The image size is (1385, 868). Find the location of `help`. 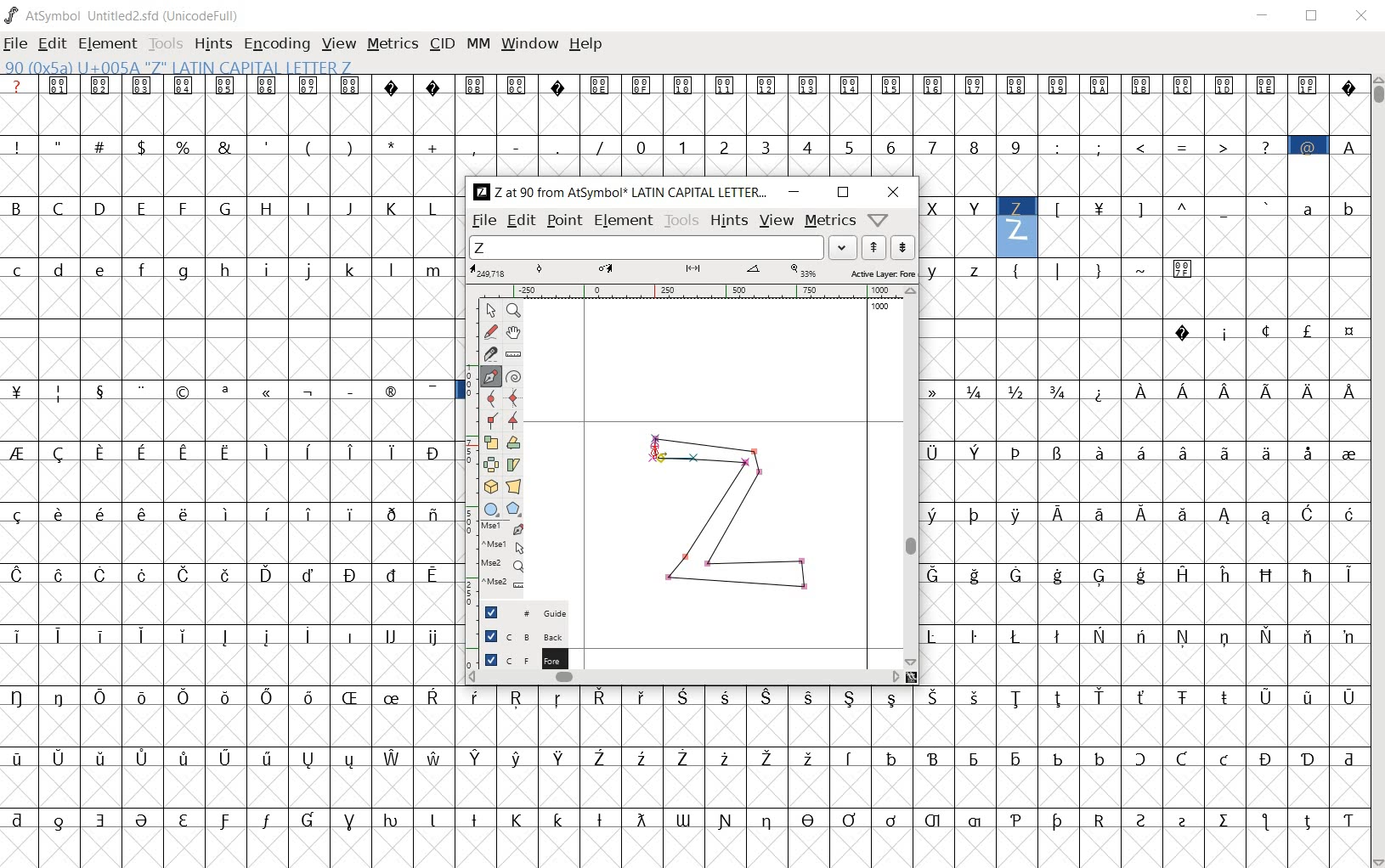

help is located at coordinates (587, 44).